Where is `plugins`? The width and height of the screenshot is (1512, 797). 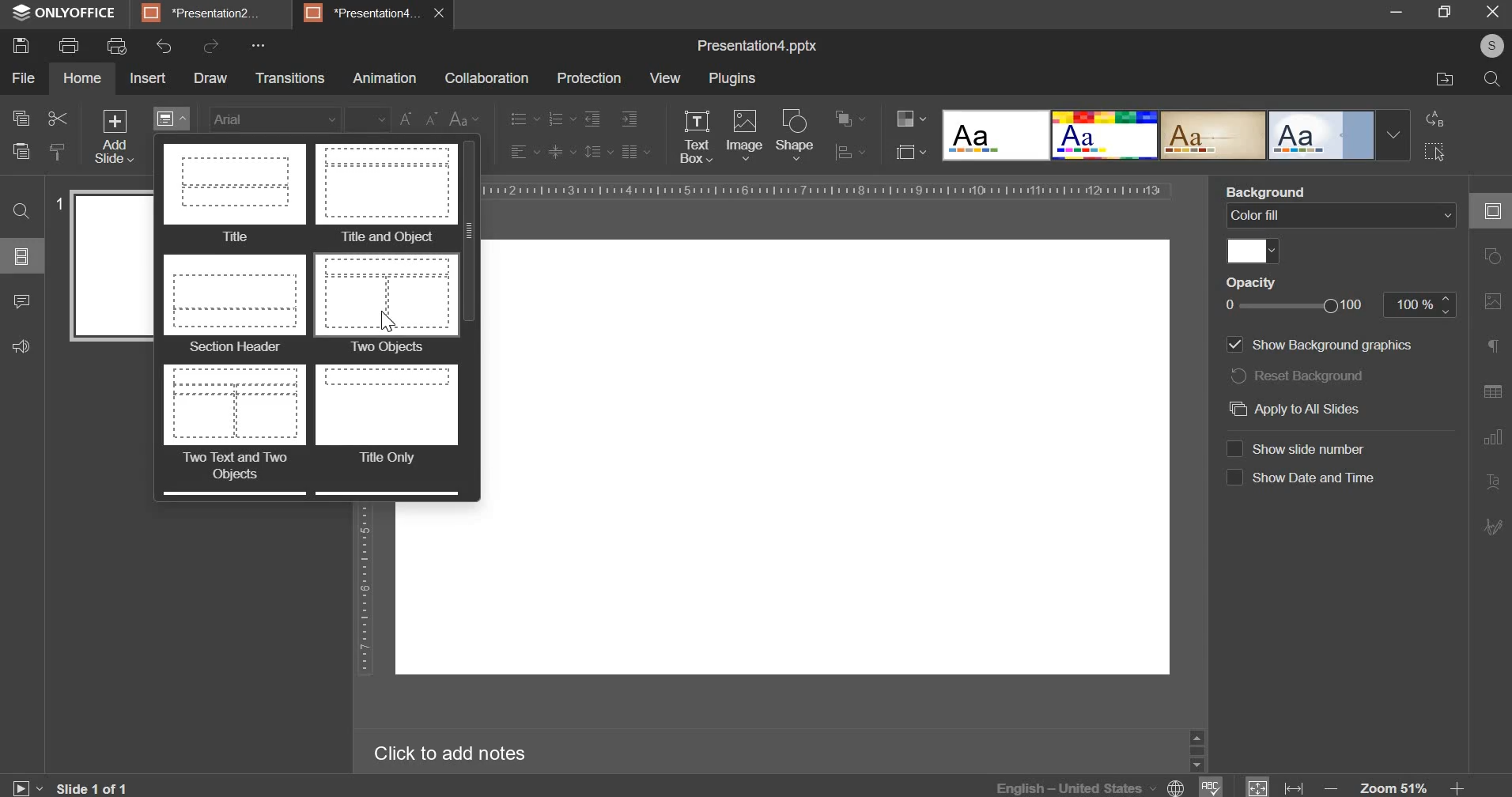
plugins is located at coordinates (731, 77).